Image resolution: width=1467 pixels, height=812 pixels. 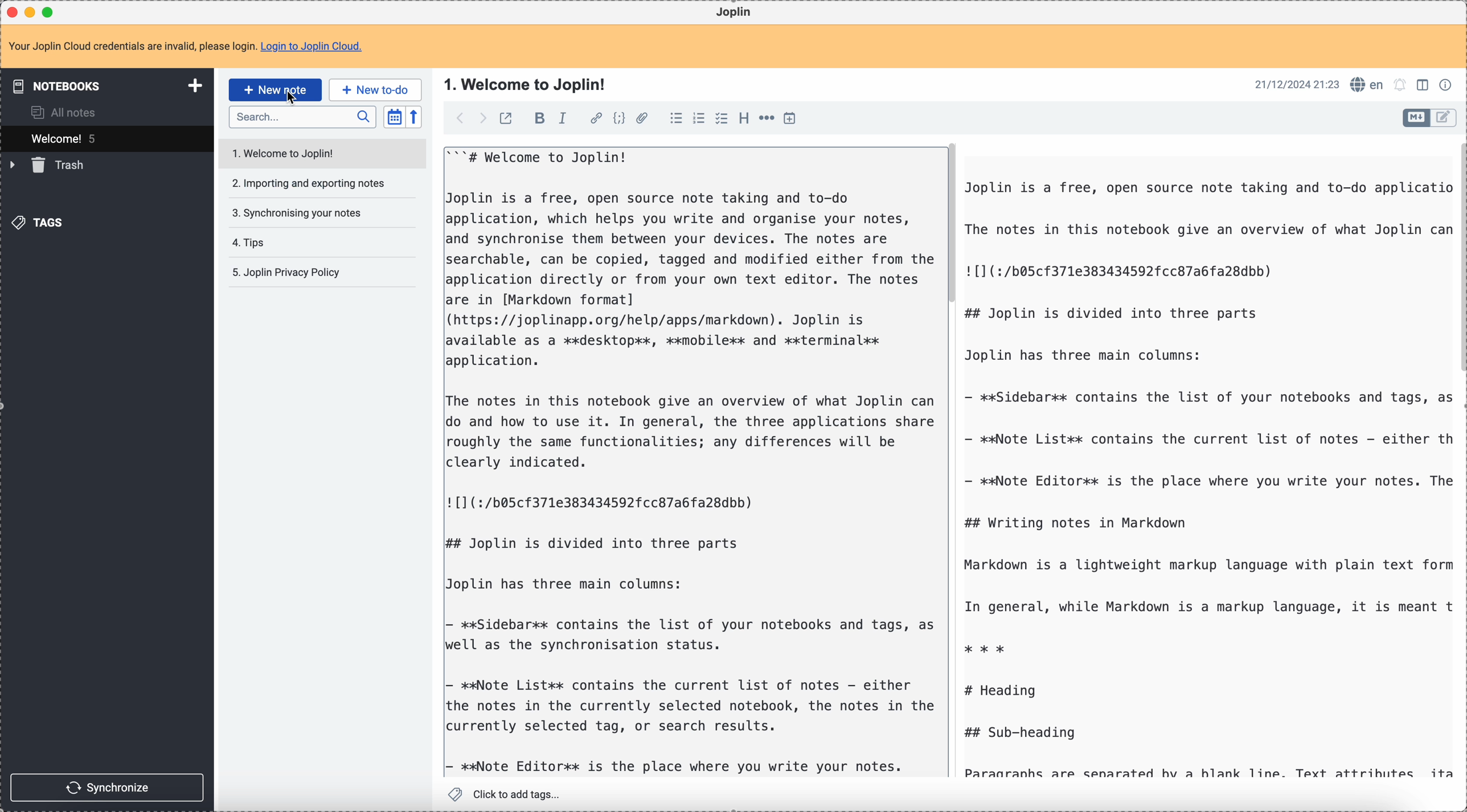 I want to click on search bar, so click(x=302, y=117).